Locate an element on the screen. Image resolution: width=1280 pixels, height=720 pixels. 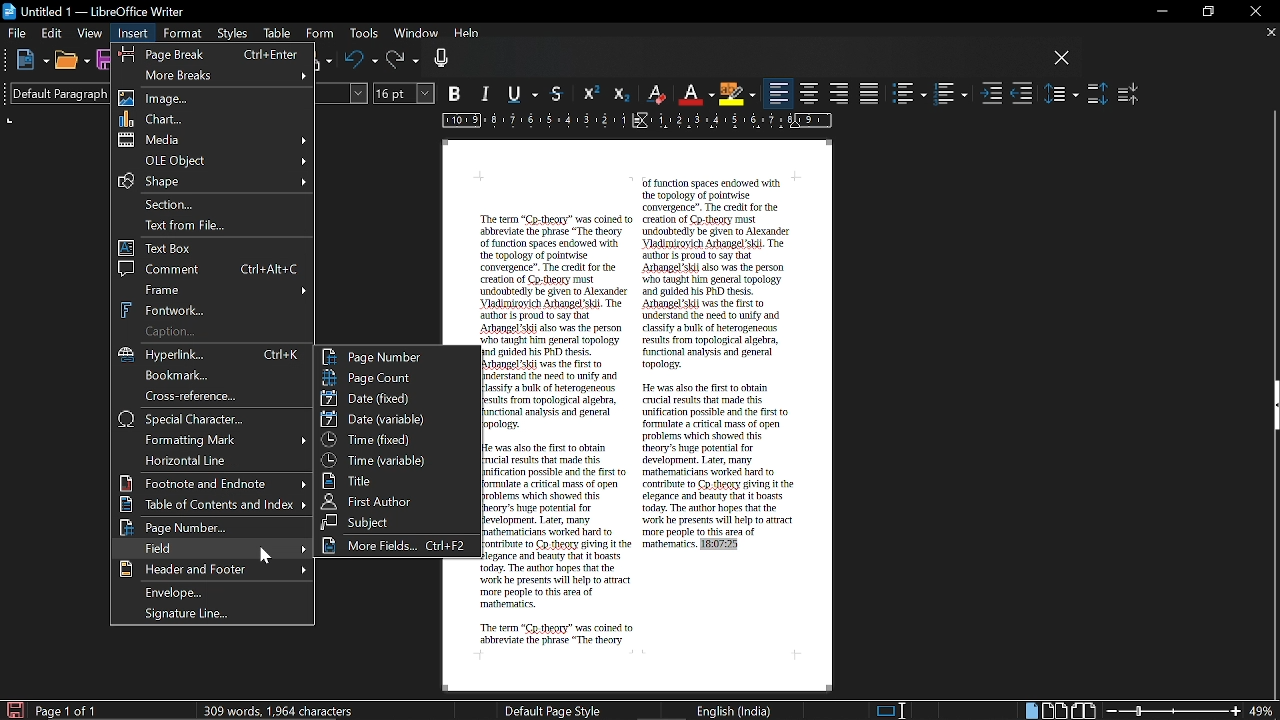
Hyperlink is located at coordinates (216, 355).